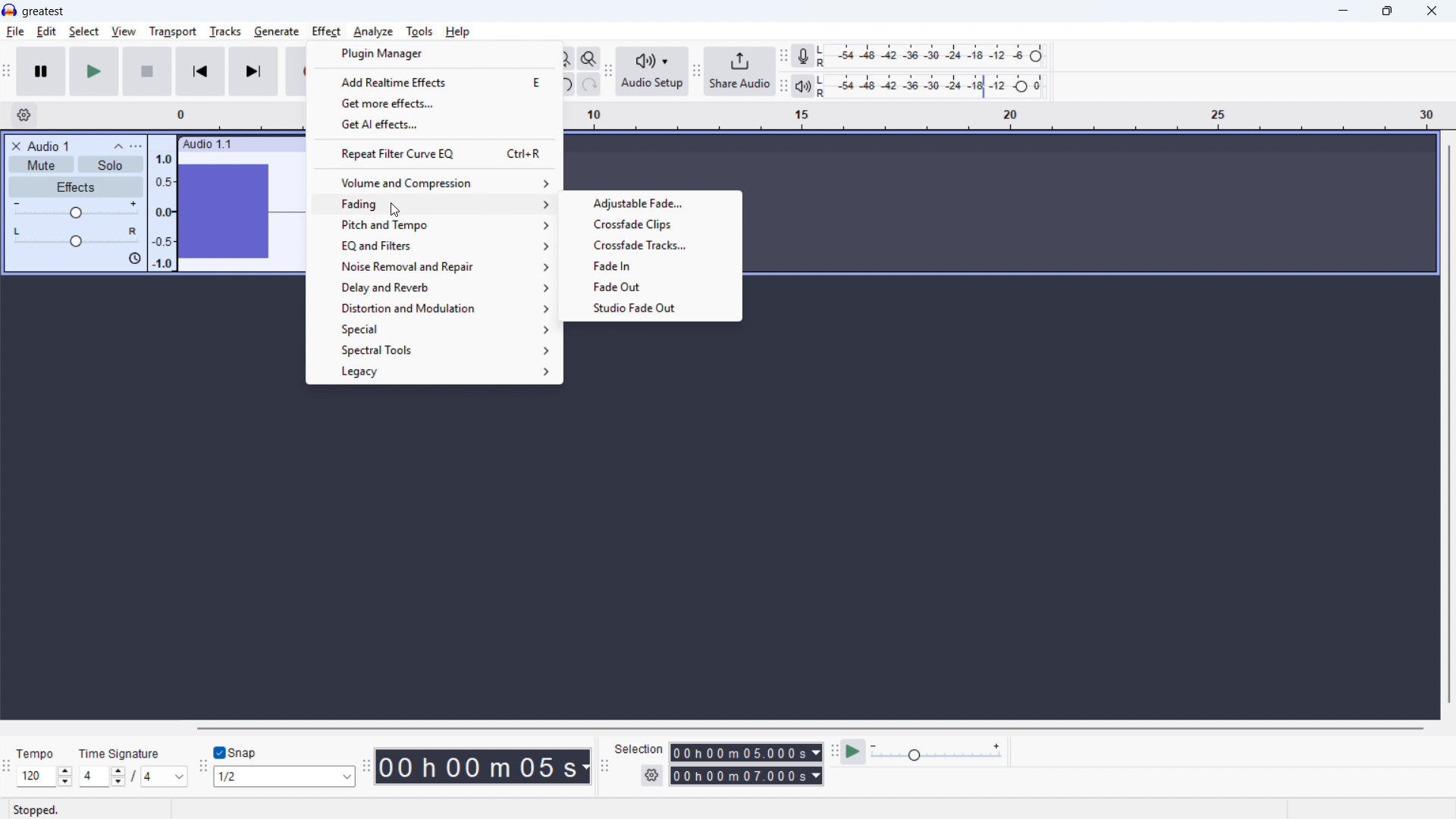  I want to click on help, so click(458, 32).